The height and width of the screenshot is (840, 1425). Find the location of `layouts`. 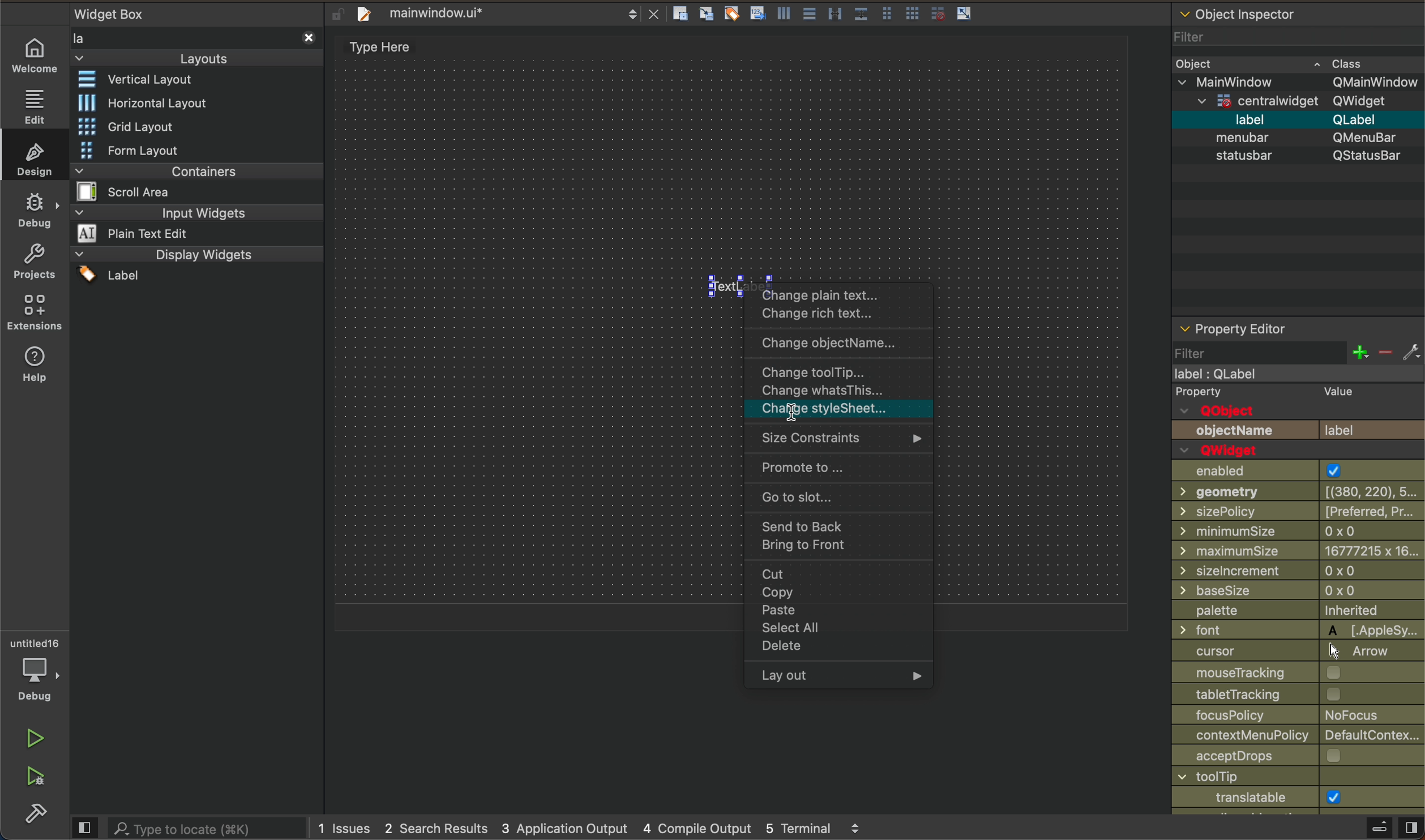

layouts is located at coordinates (202, 46).